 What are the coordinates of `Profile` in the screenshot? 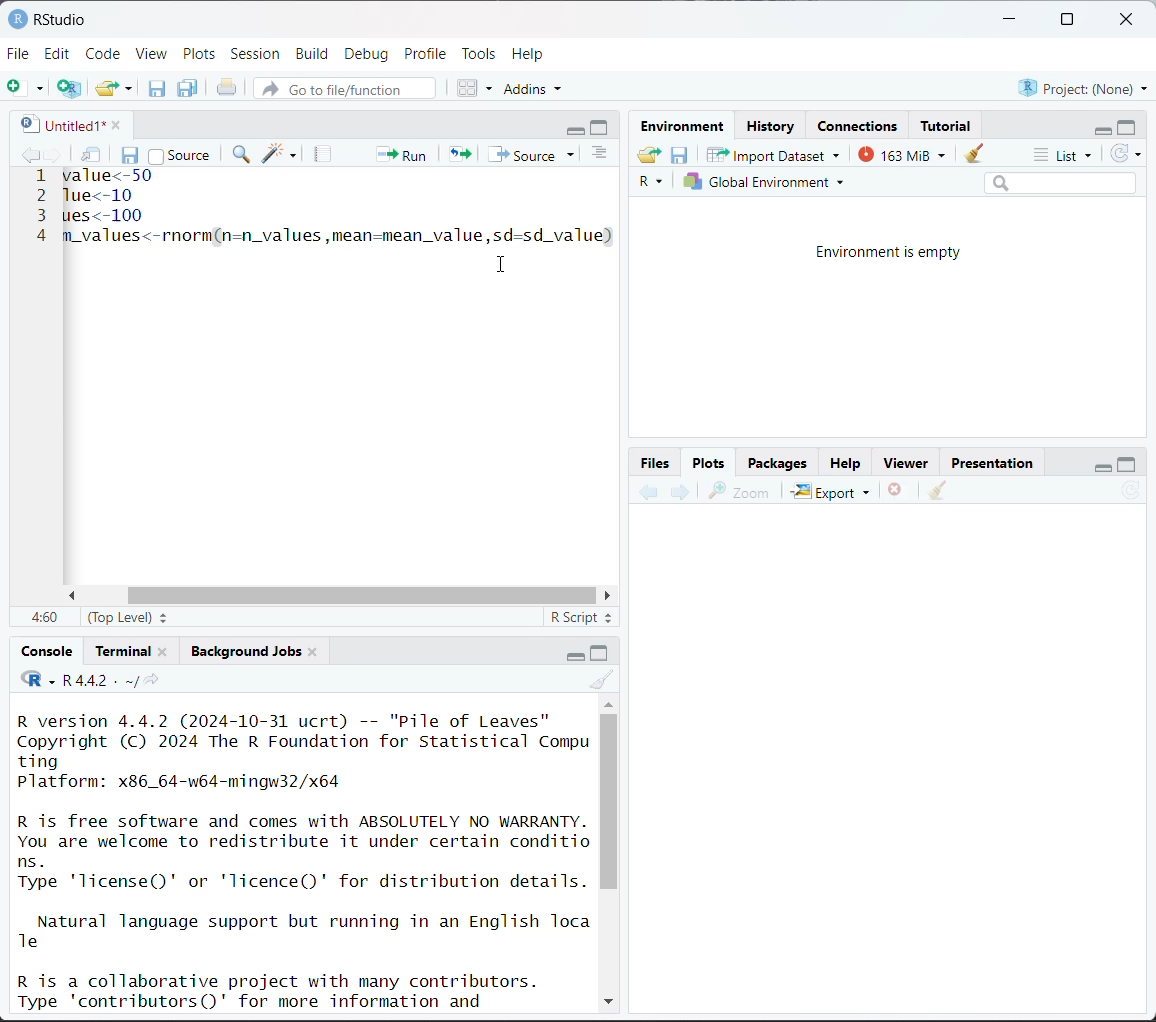 It's located at (428, 52).